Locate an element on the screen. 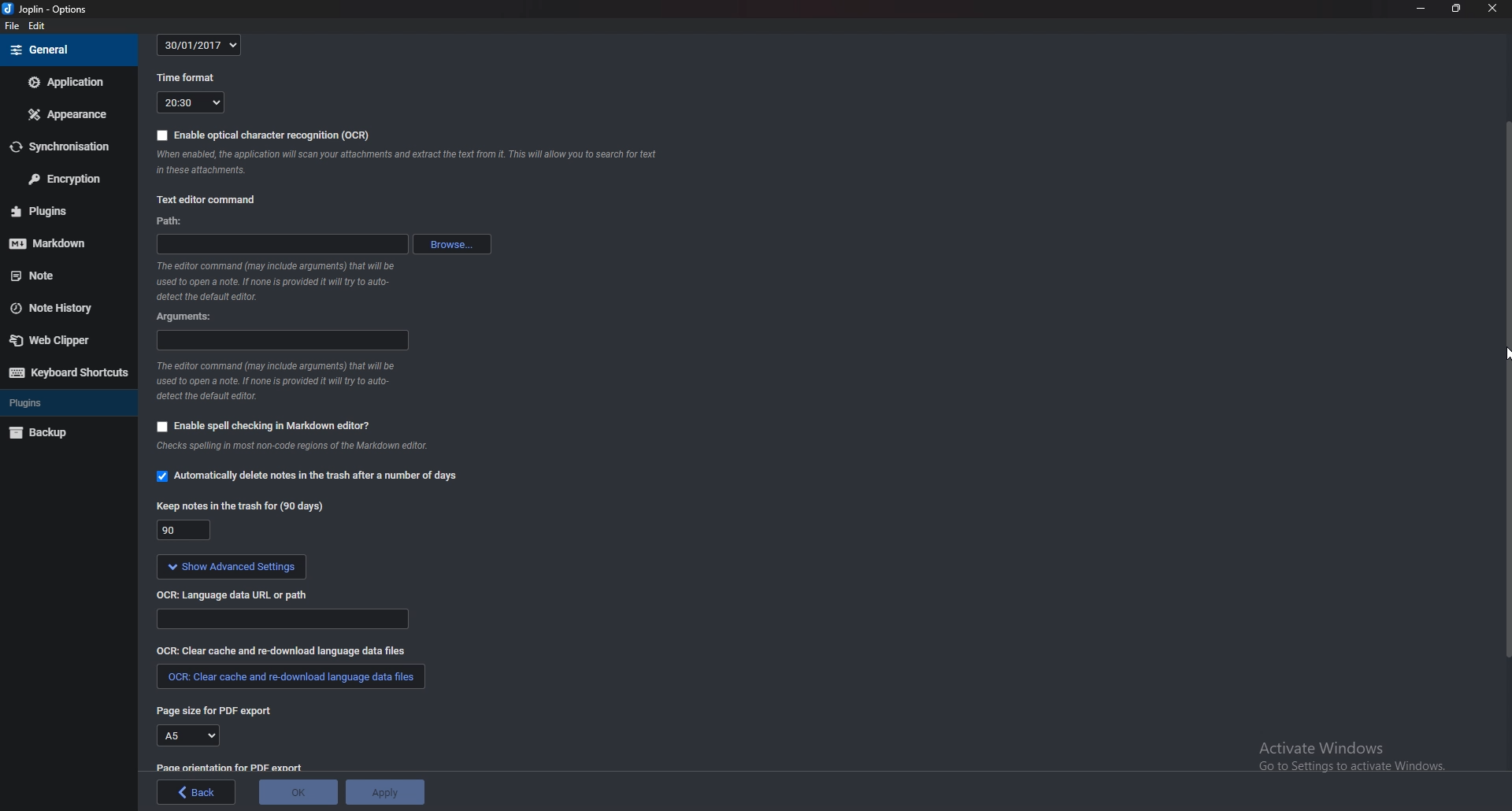 The width and height of the screenshot is (1512, 811). Back up is located at coordinates (57, 433).